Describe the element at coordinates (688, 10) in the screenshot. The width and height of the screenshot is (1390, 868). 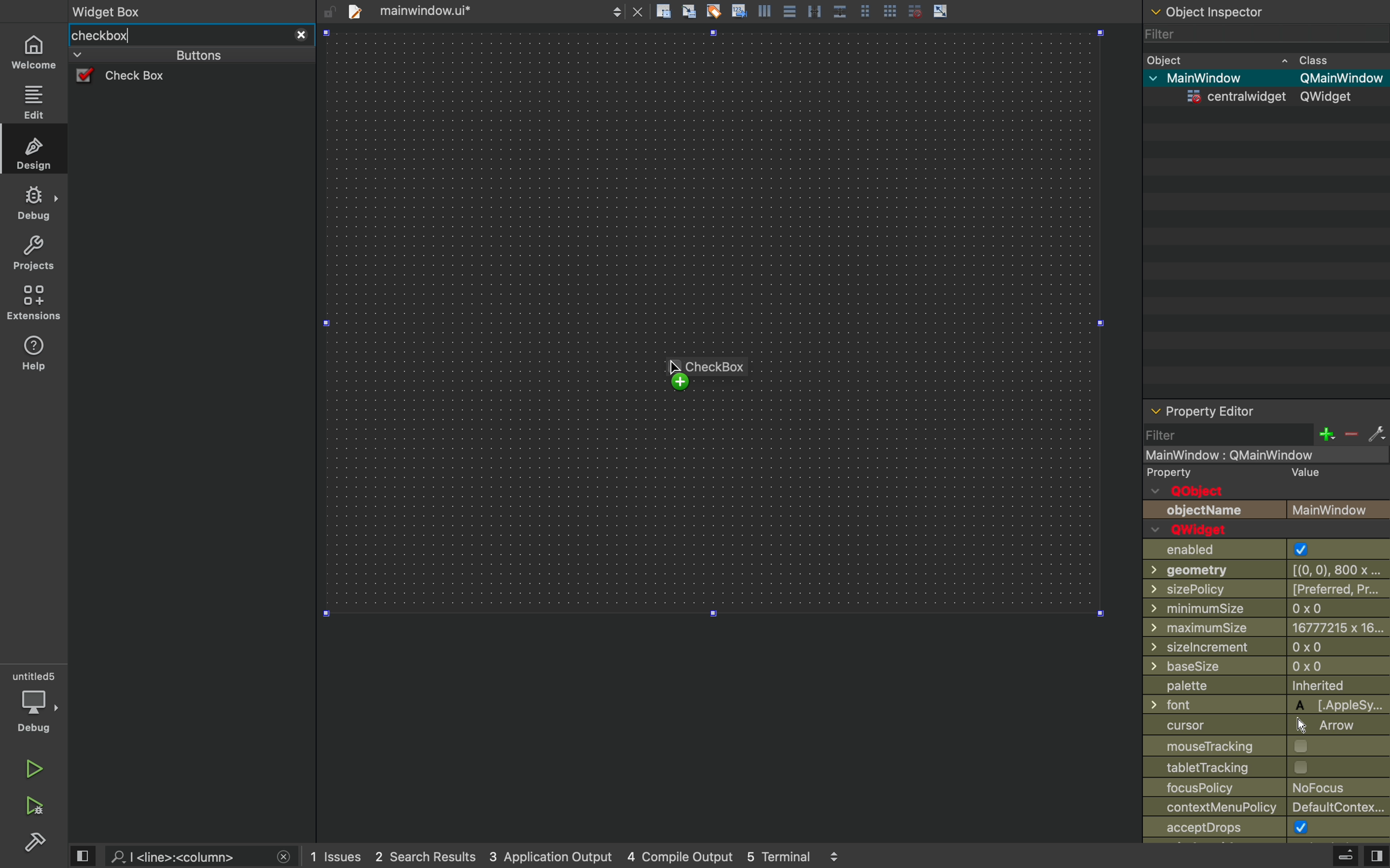
I see `align to grid` at that location.